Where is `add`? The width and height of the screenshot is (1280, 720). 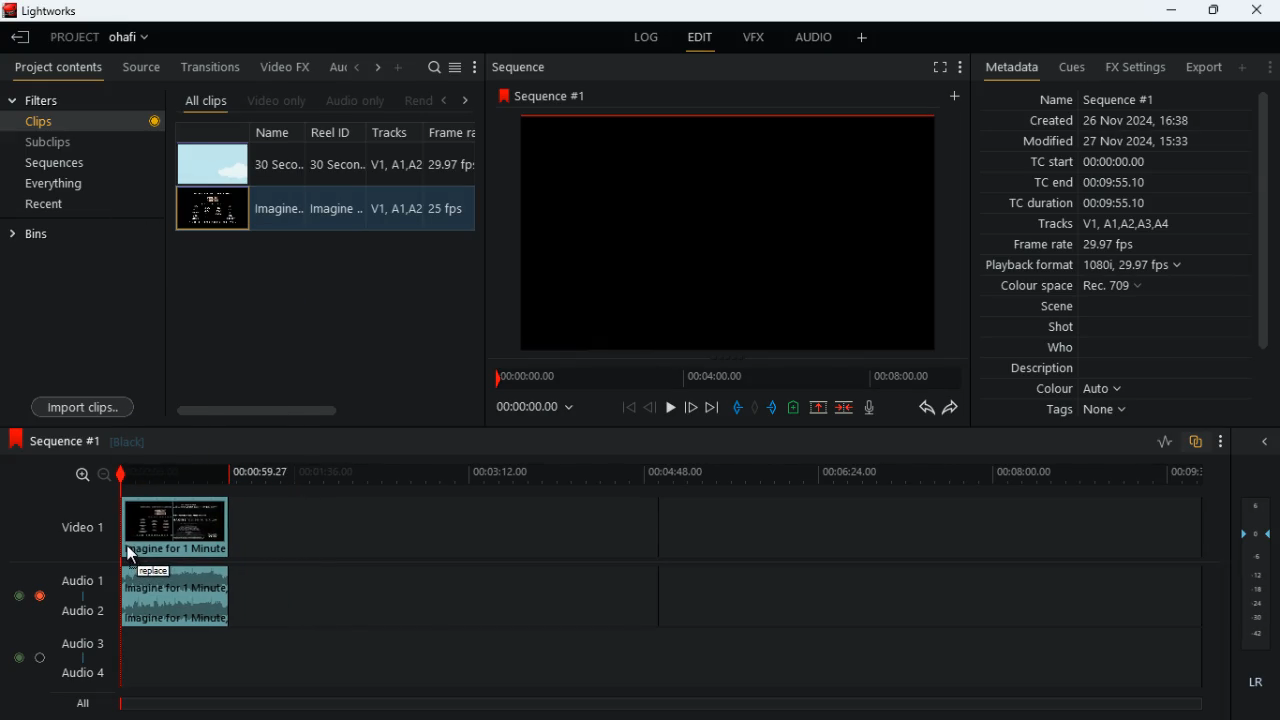
add is located at coordinates (402, 67).